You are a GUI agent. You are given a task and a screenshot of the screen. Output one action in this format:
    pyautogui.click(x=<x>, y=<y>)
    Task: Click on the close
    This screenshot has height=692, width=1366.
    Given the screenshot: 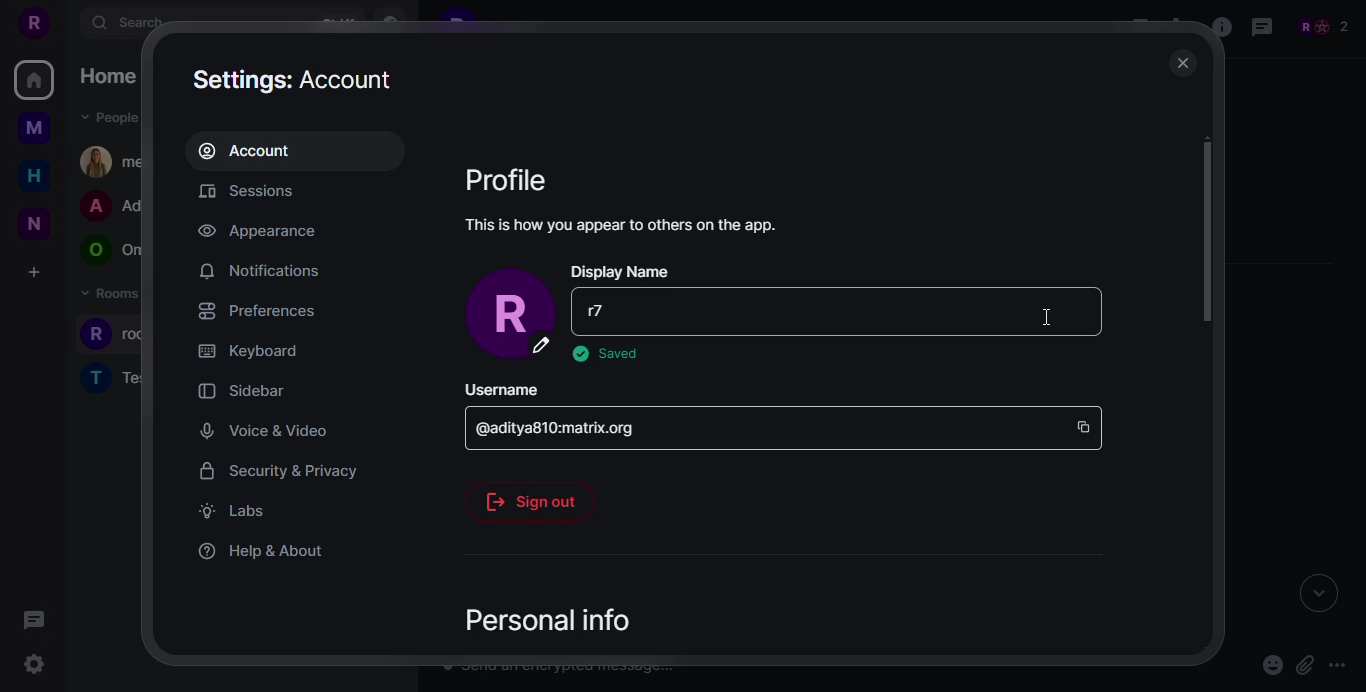 What is the action you would take?
    pyautogui.click(x=1183, y=61)
    